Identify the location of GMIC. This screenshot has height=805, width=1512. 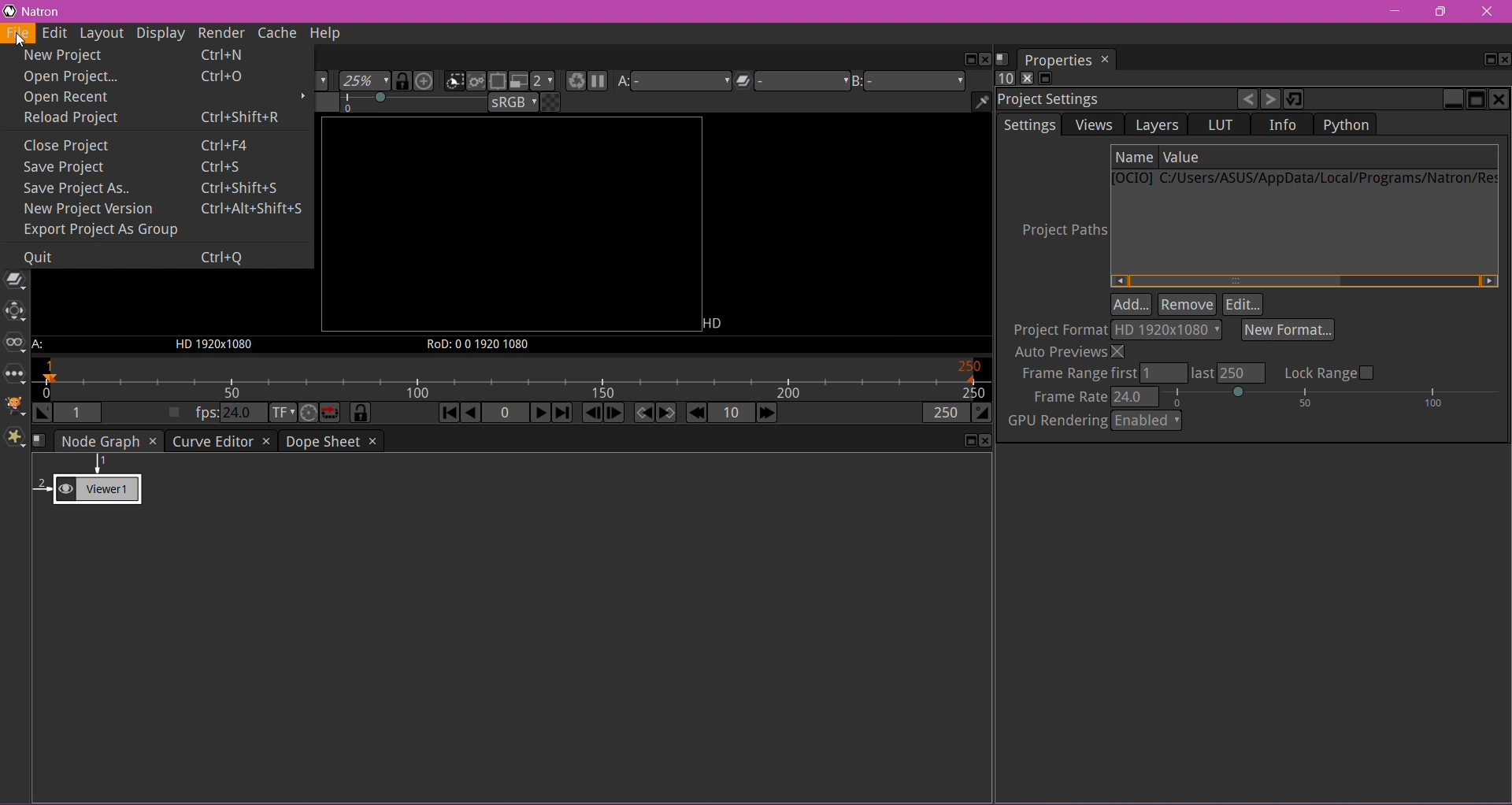
(15, 408).